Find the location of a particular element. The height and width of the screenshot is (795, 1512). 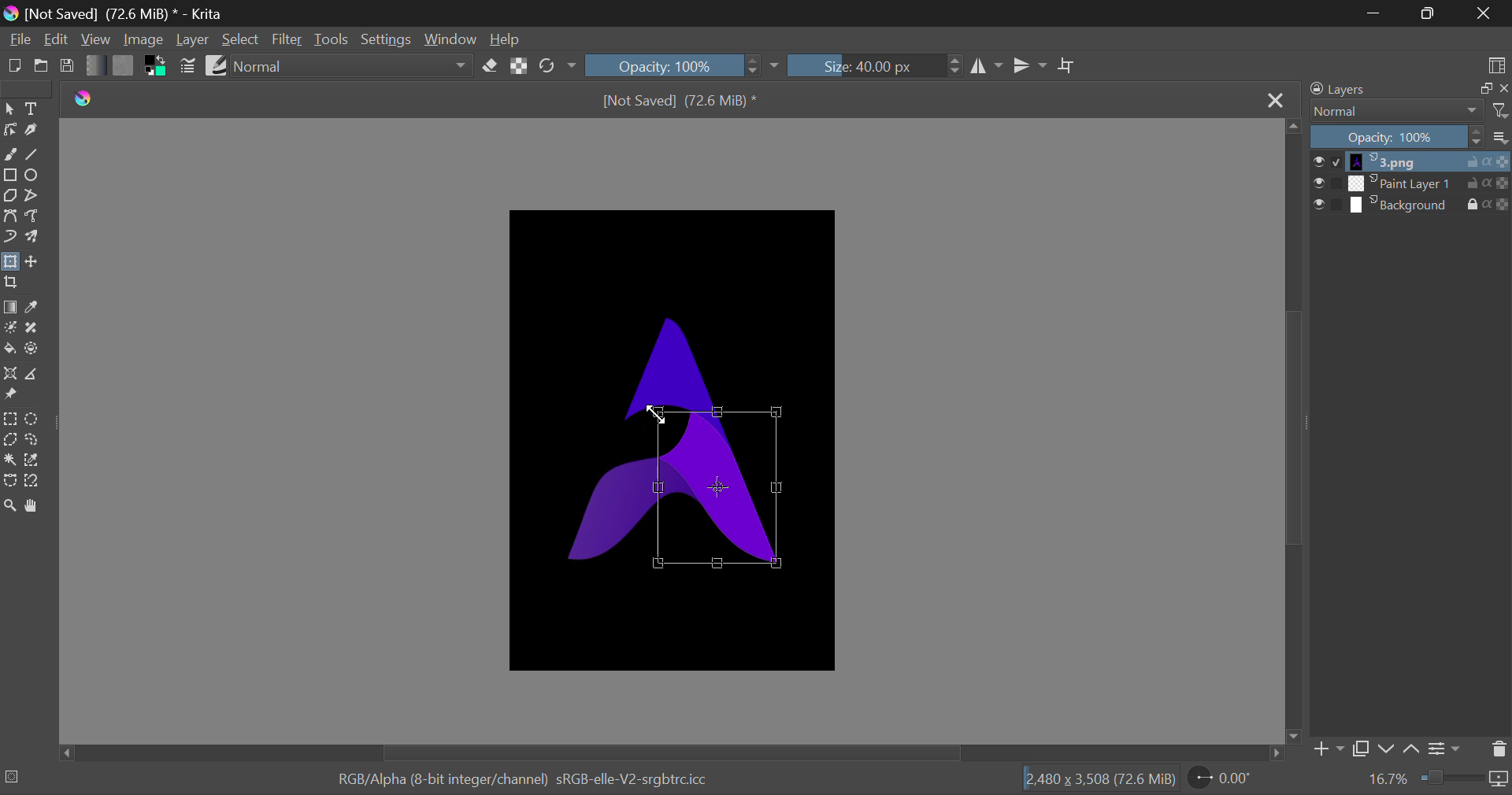

dropdown is located at coordinates (775, 65).